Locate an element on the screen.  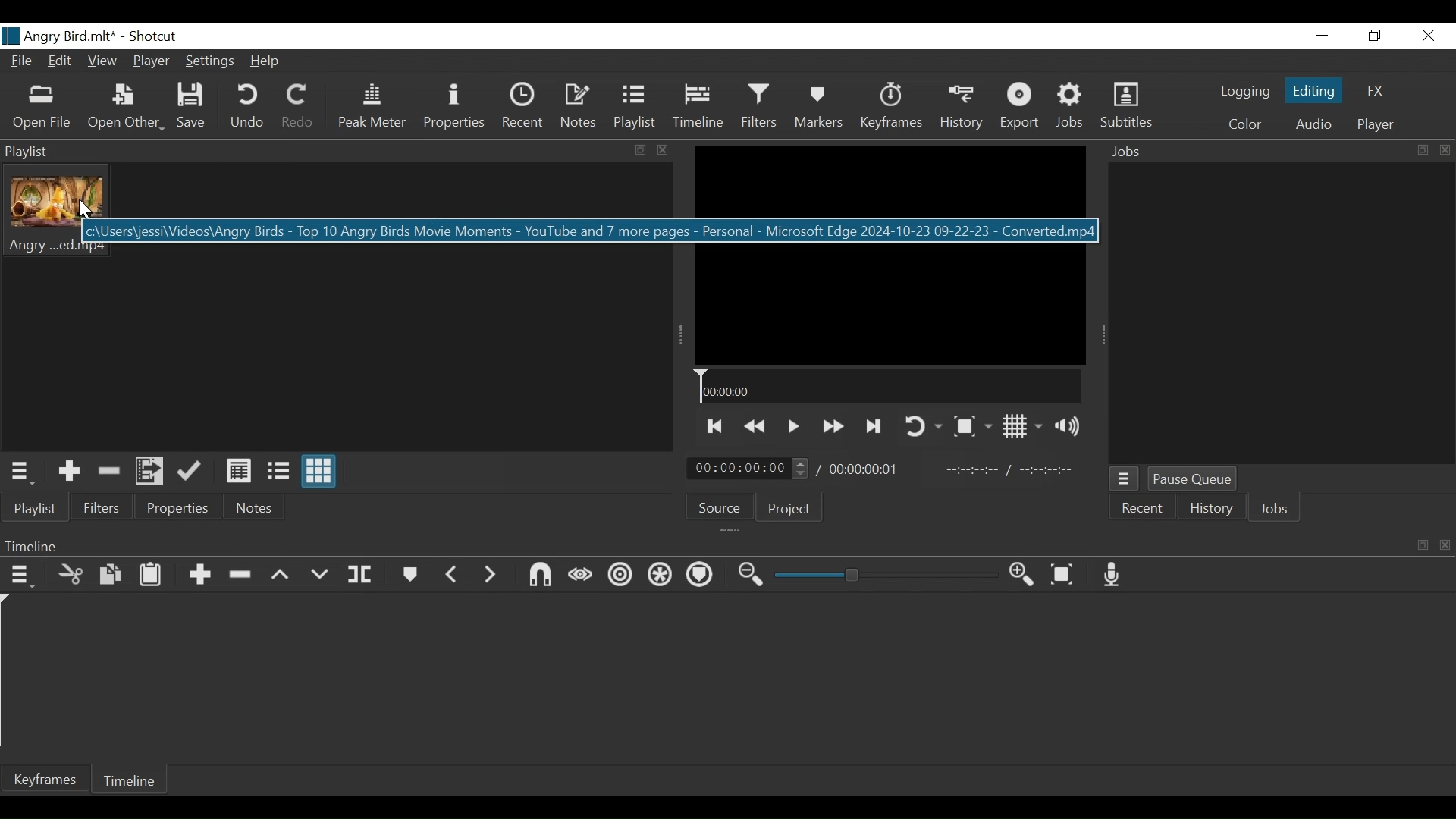
Show volume control is located at coordinates (1068, 425).